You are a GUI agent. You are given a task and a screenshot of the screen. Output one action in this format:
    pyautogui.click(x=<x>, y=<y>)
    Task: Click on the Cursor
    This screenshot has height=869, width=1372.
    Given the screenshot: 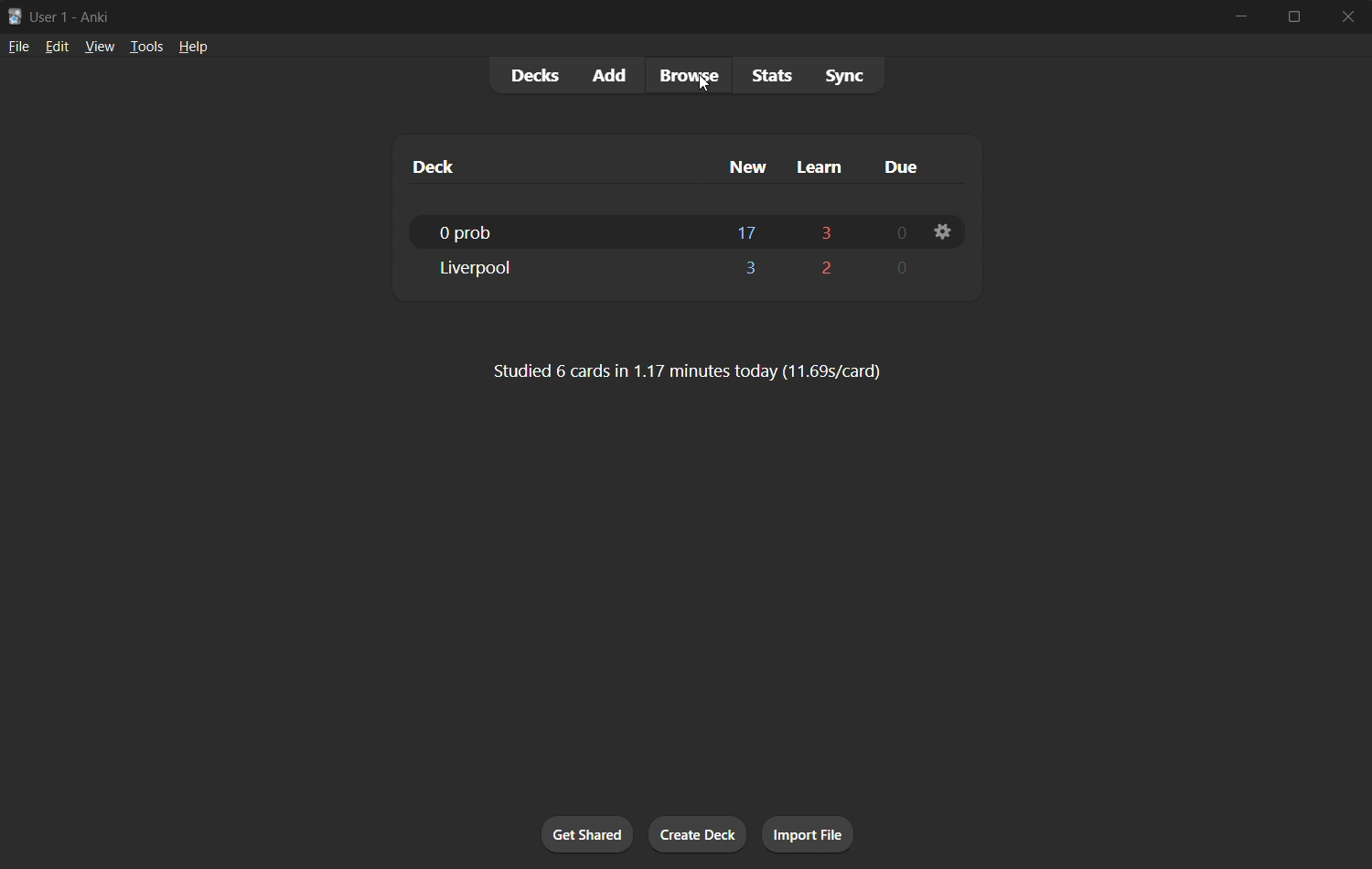 What is the action you would take?
    pyautogui.click(x=710, y=84)
    